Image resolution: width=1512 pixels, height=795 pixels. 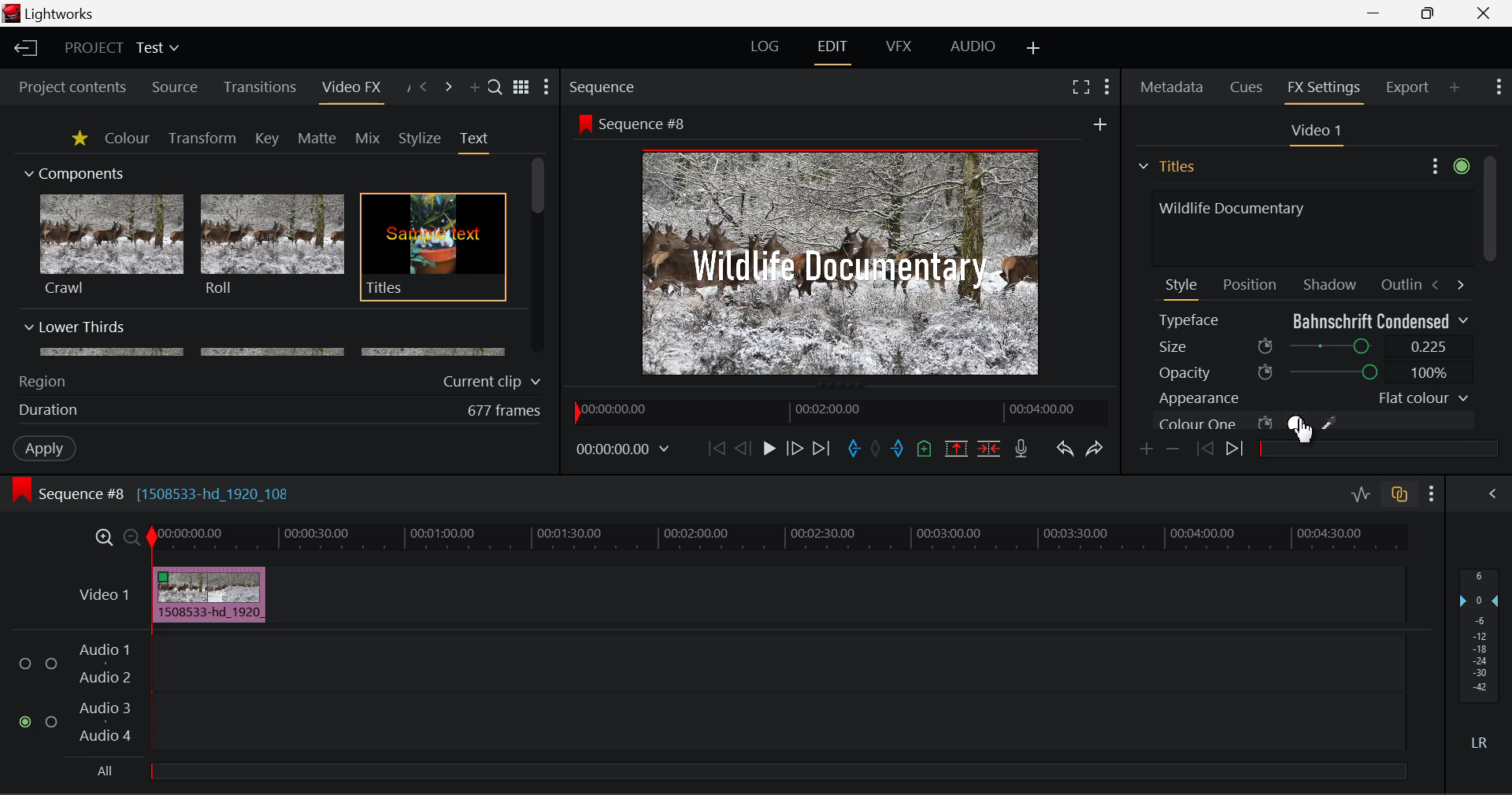 I want to click on Stylize, so click(x=421, y=139).